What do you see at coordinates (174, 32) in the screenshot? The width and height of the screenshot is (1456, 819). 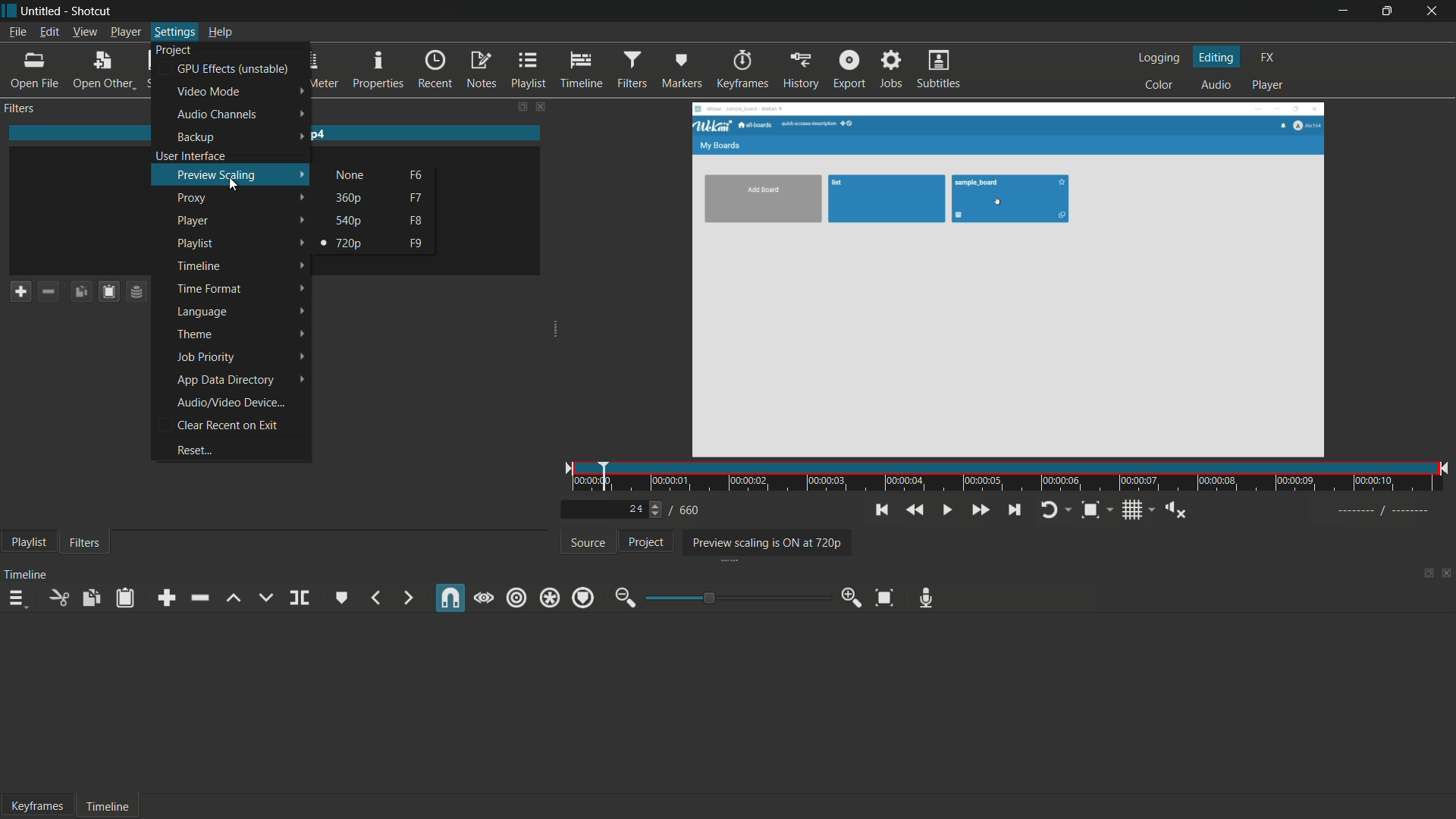 I see `settings menu` at bounding box center [174, 32].